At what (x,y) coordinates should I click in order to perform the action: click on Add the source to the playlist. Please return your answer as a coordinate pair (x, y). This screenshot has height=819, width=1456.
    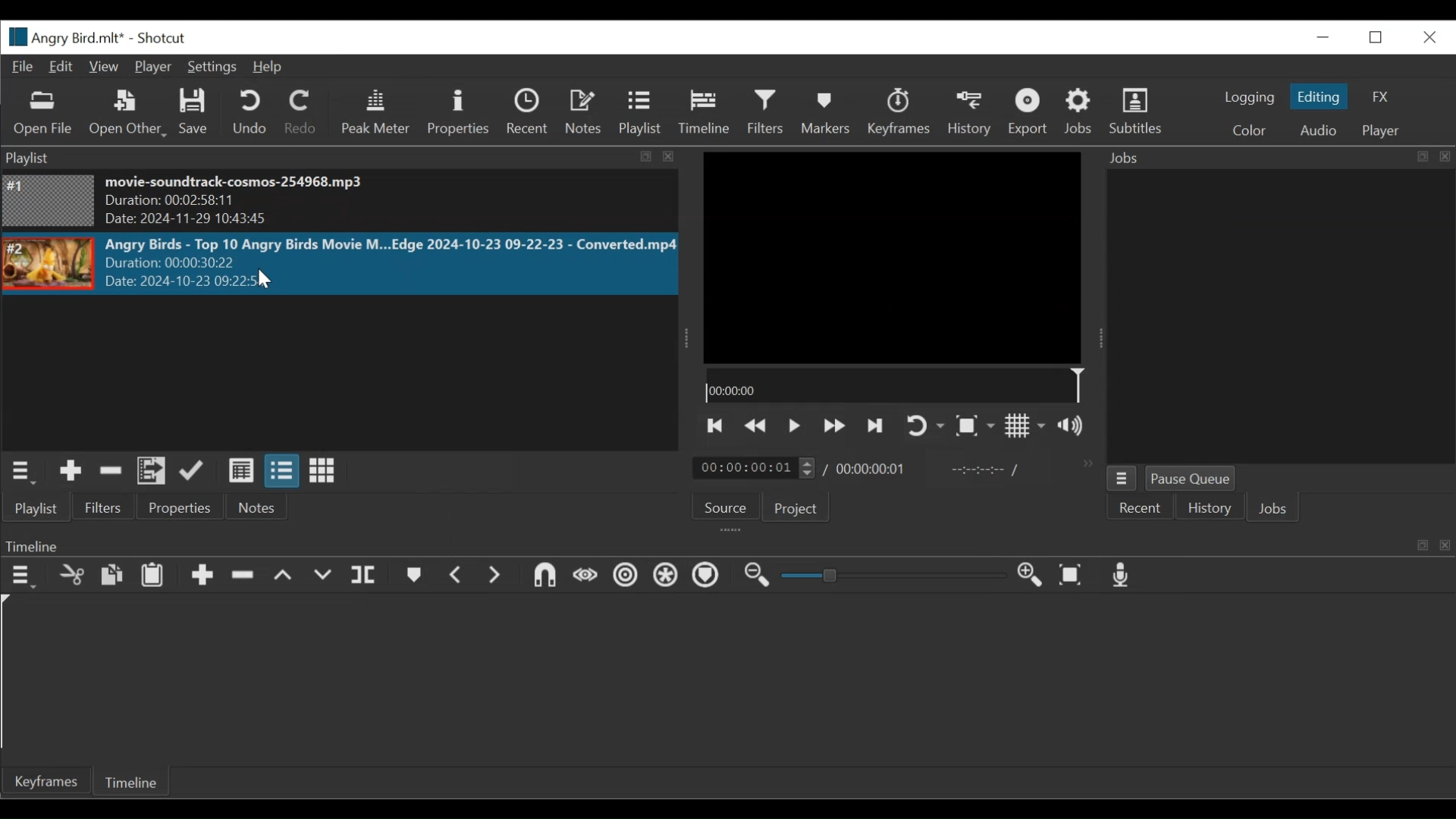
    Looking at the image, I should click on (71, 471).